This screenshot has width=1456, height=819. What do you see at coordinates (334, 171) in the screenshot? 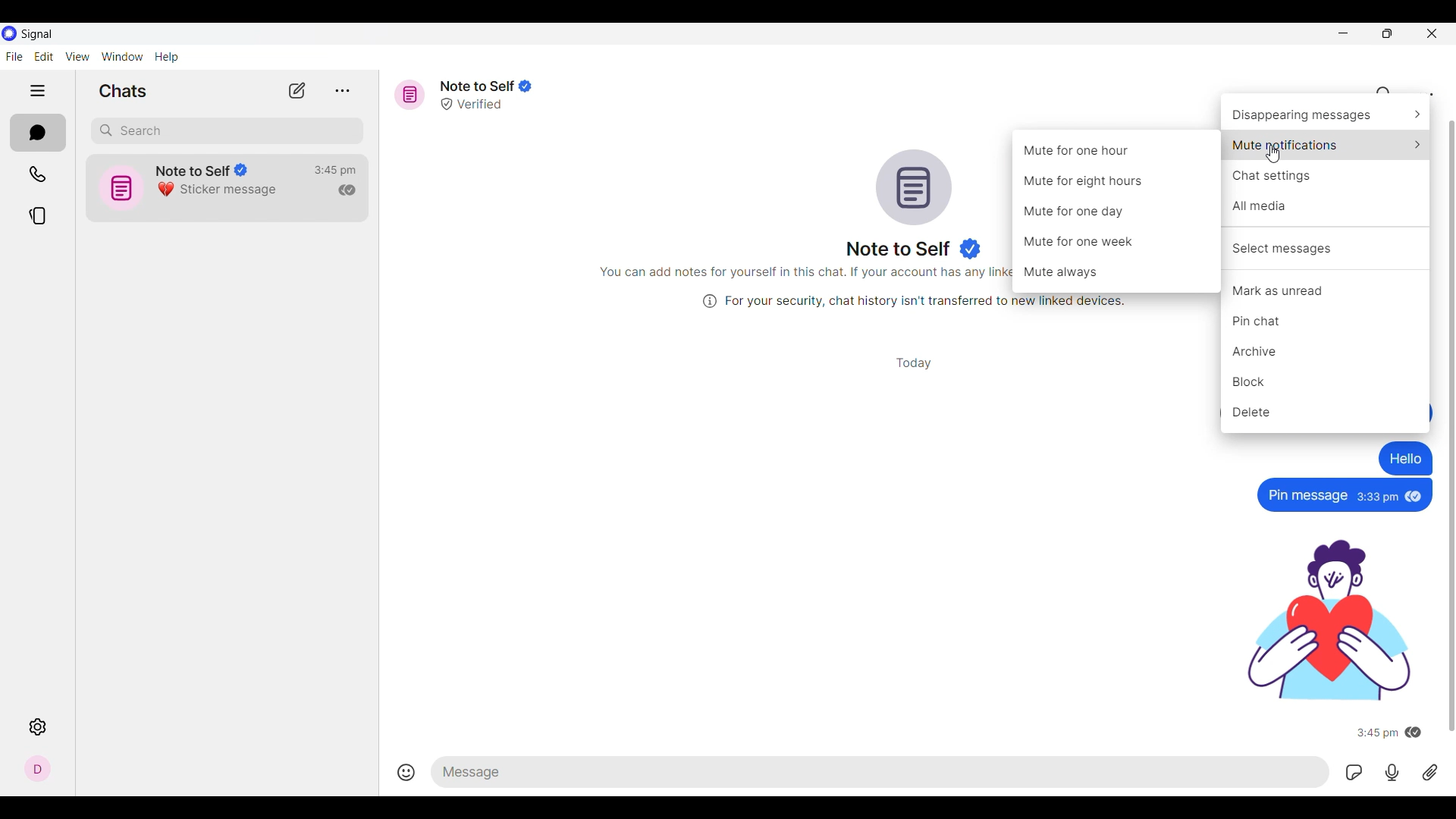
I see `Time of last conversation` at bounding box center [334, 171].